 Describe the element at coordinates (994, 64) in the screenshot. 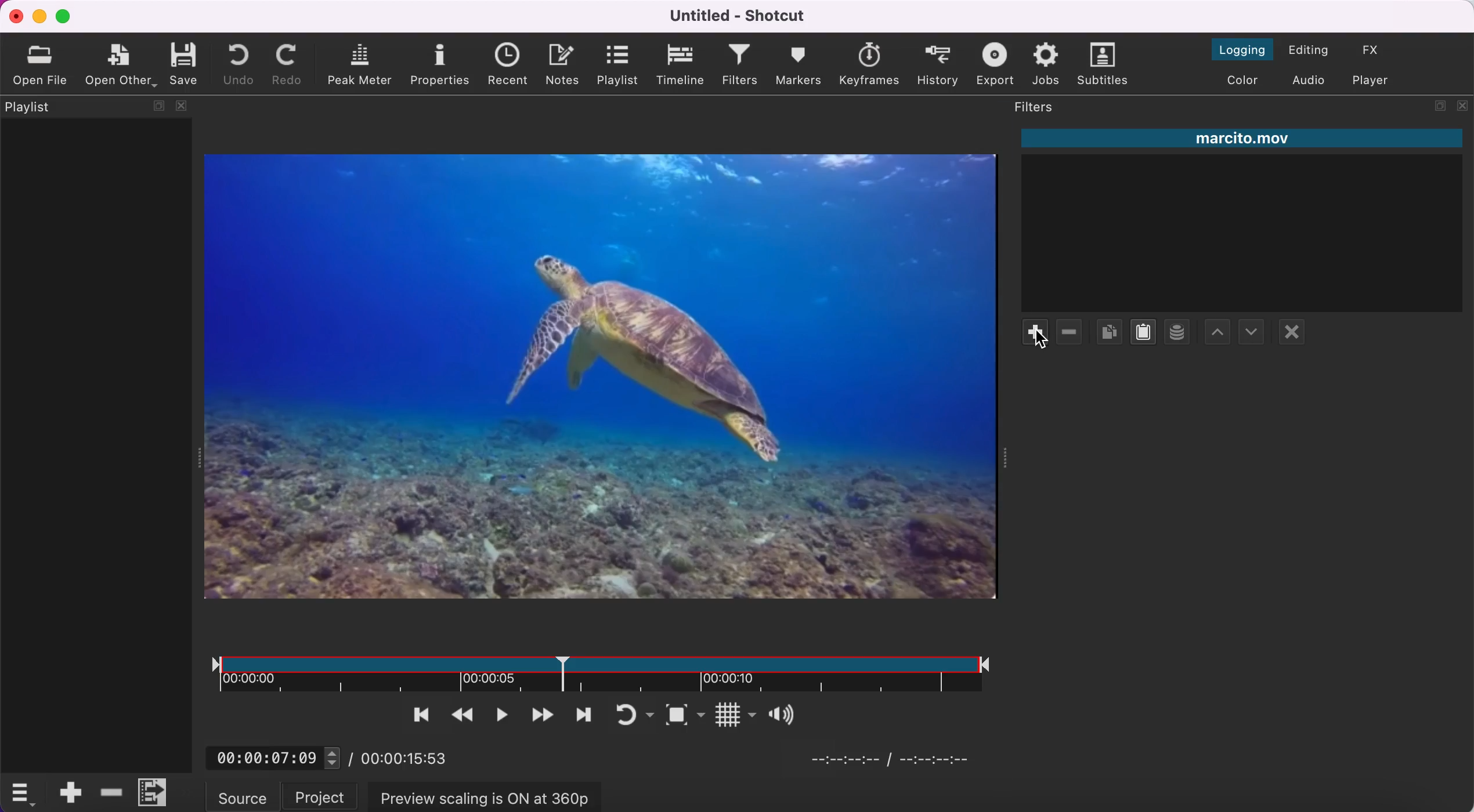

I see `export` at that location.